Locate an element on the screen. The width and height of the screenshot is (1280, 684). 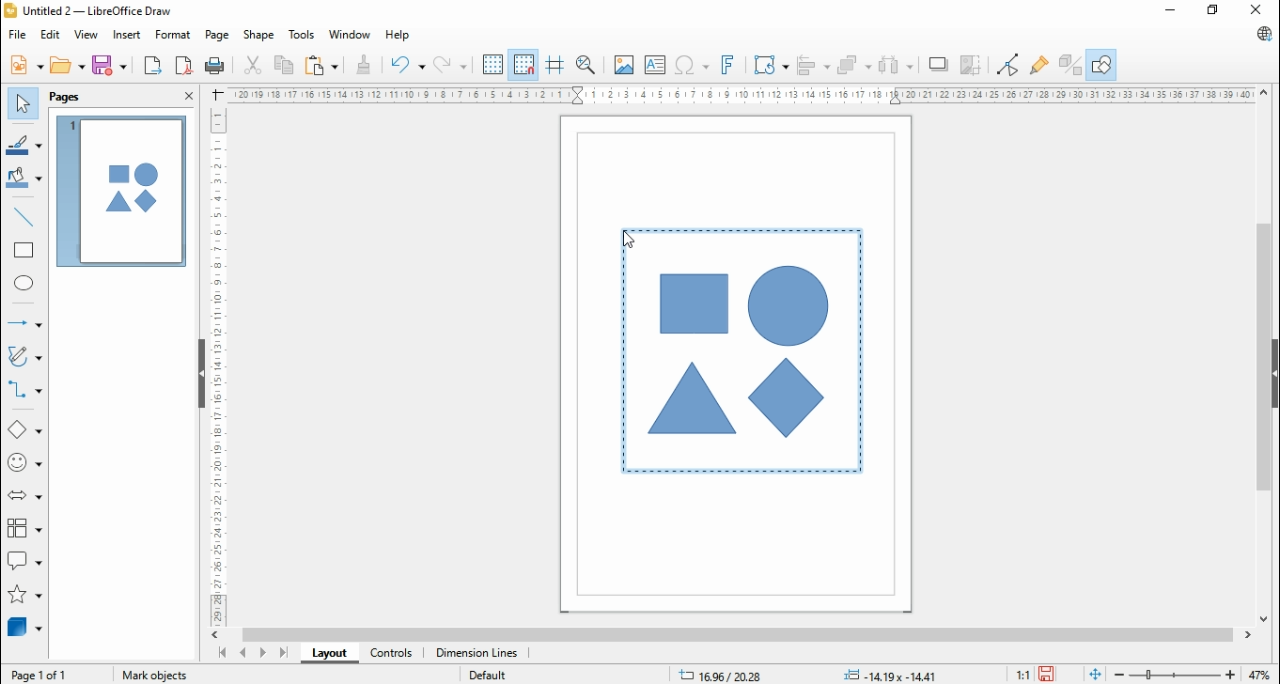
insert line is located at coordinates (27, 217).